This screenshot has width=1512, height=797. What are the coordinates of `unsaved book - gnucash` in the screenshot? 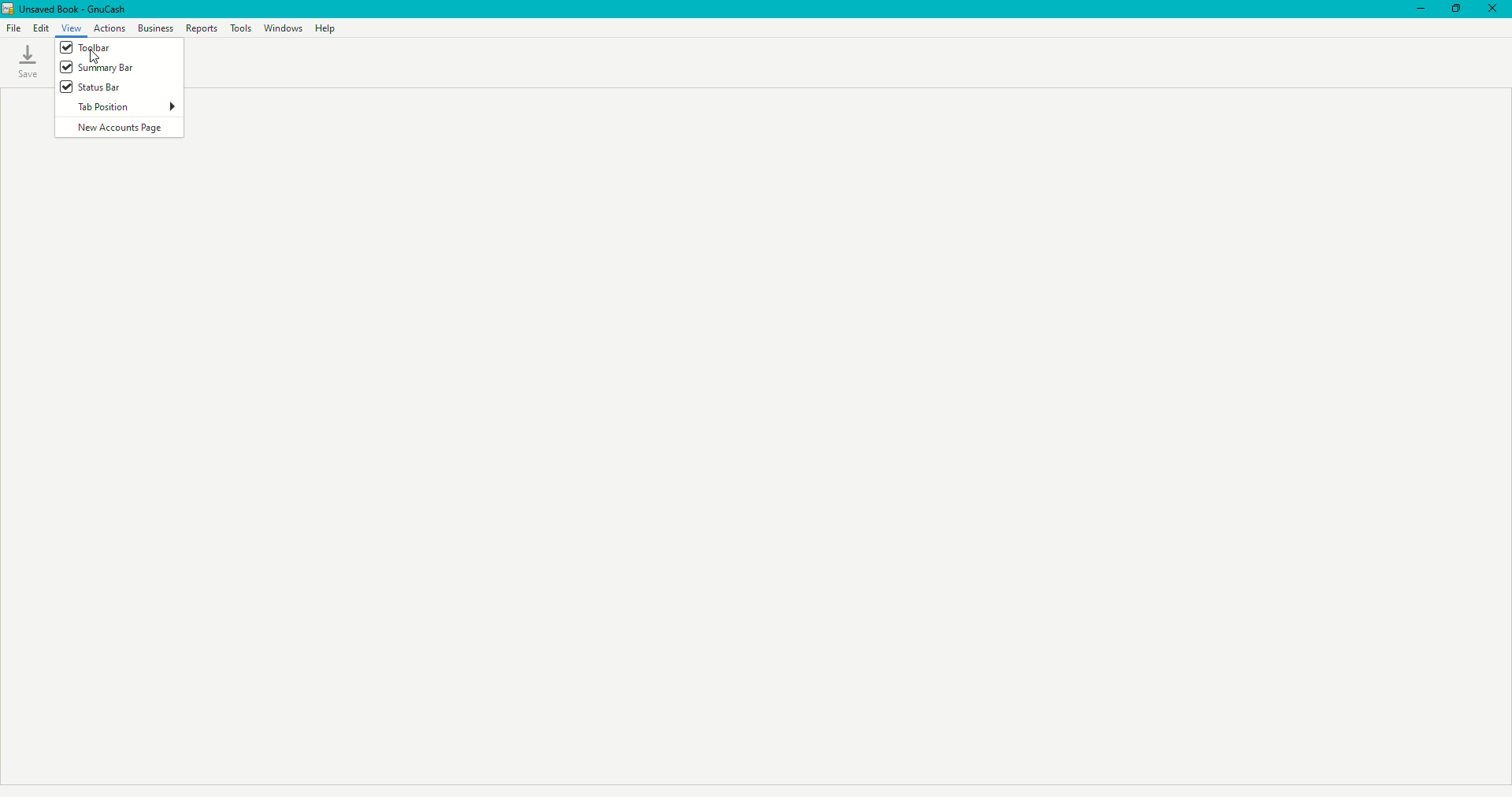 It's located at (83, 8).